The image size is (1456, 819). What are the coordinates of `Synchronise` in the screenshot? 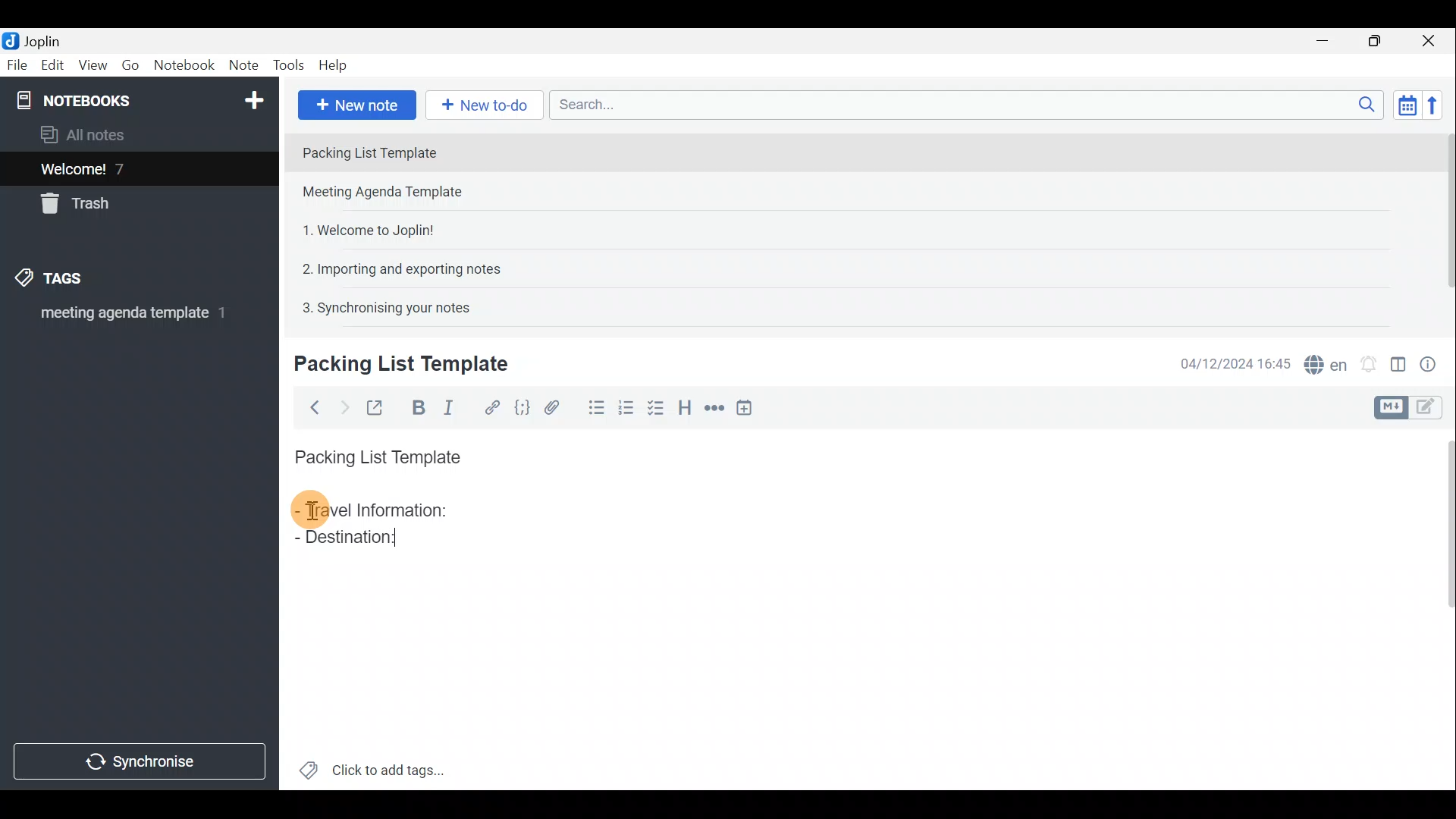 It's located at (142, 764).